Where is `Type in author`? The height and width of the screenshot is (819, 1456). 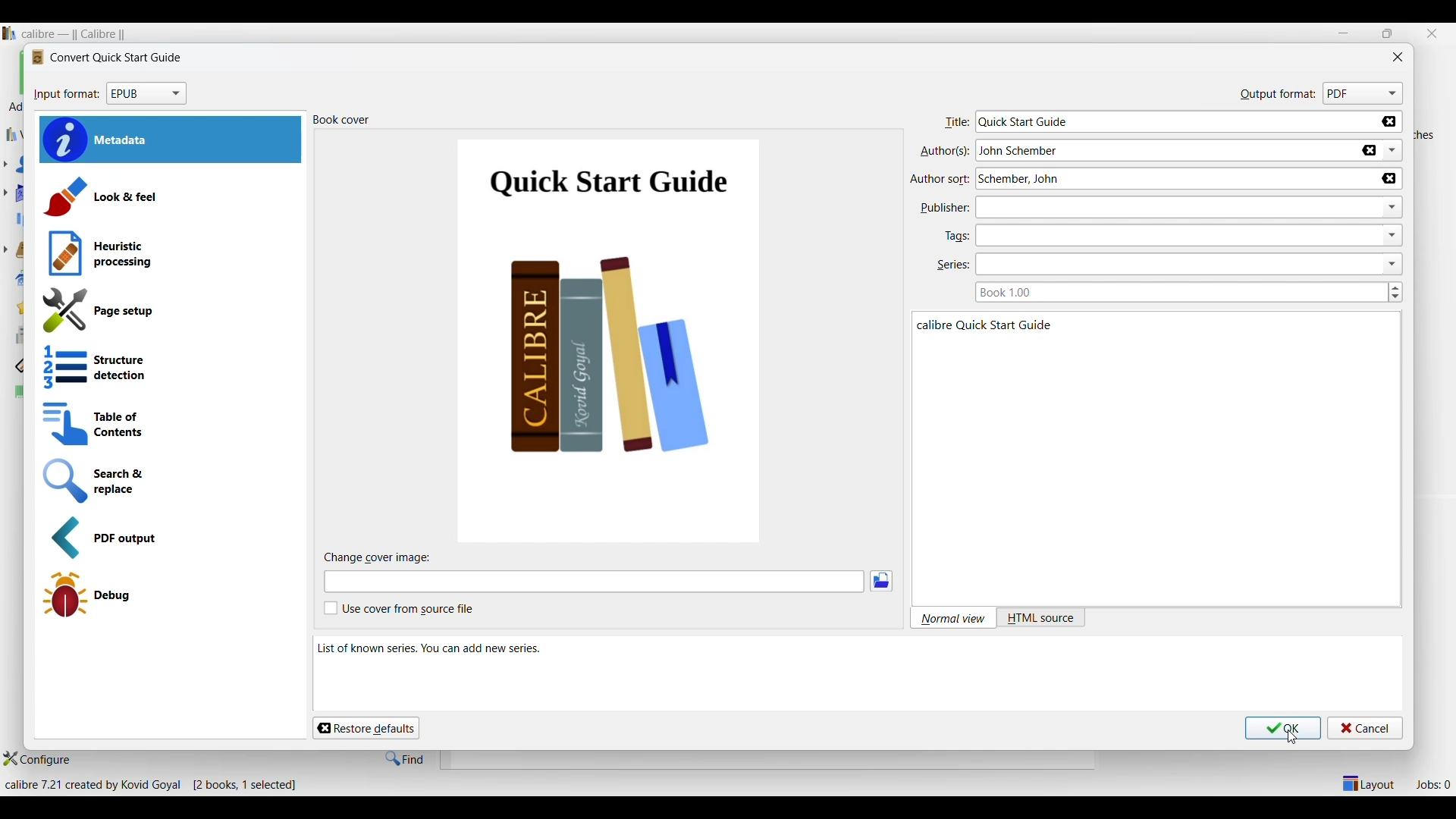
Type in author is located at coordinates (1132, 151).